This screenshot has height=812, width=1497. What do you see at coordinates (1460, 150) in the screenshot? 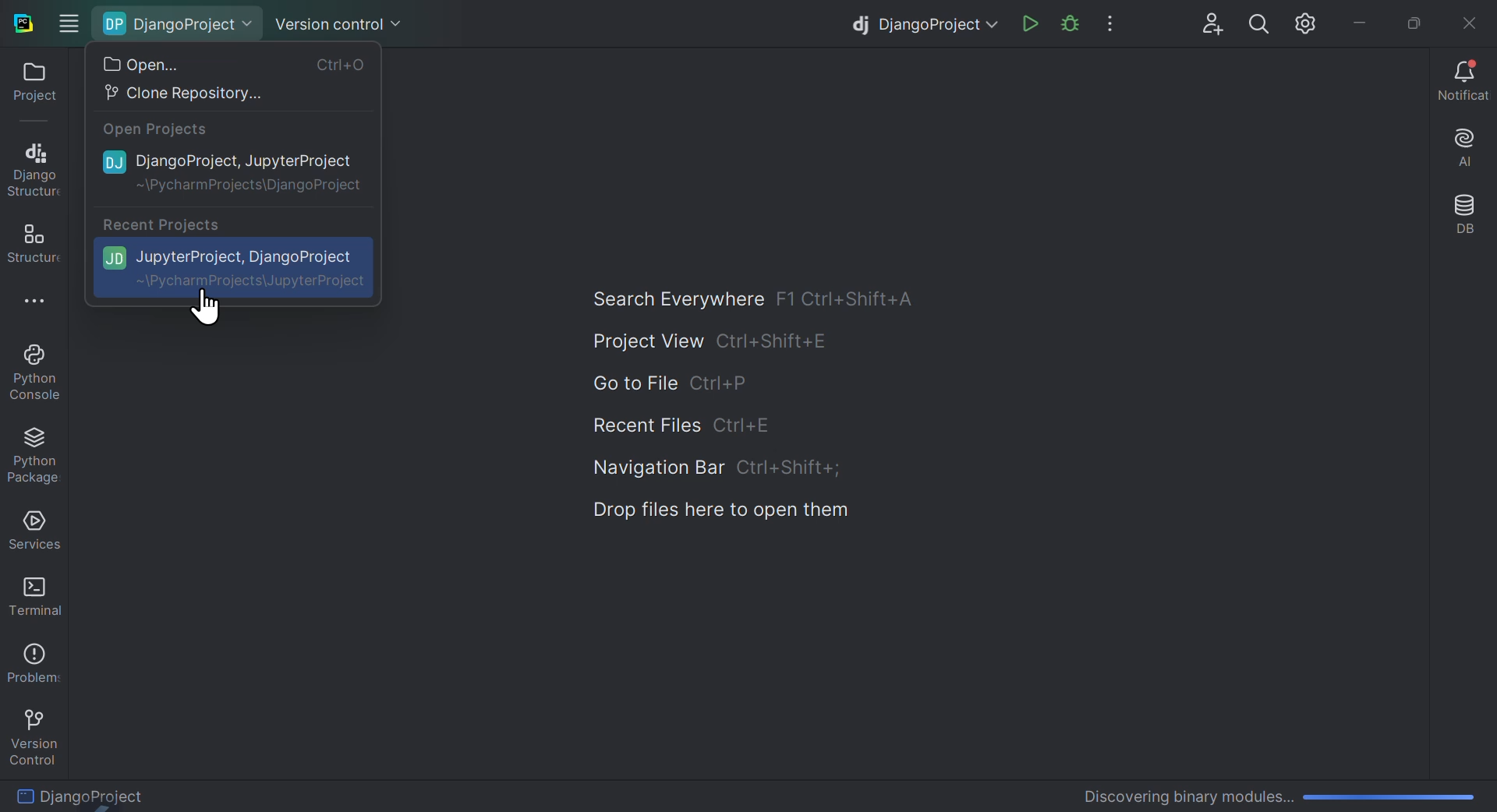
I see `AI assistant` at bounding box center [1460, 150].